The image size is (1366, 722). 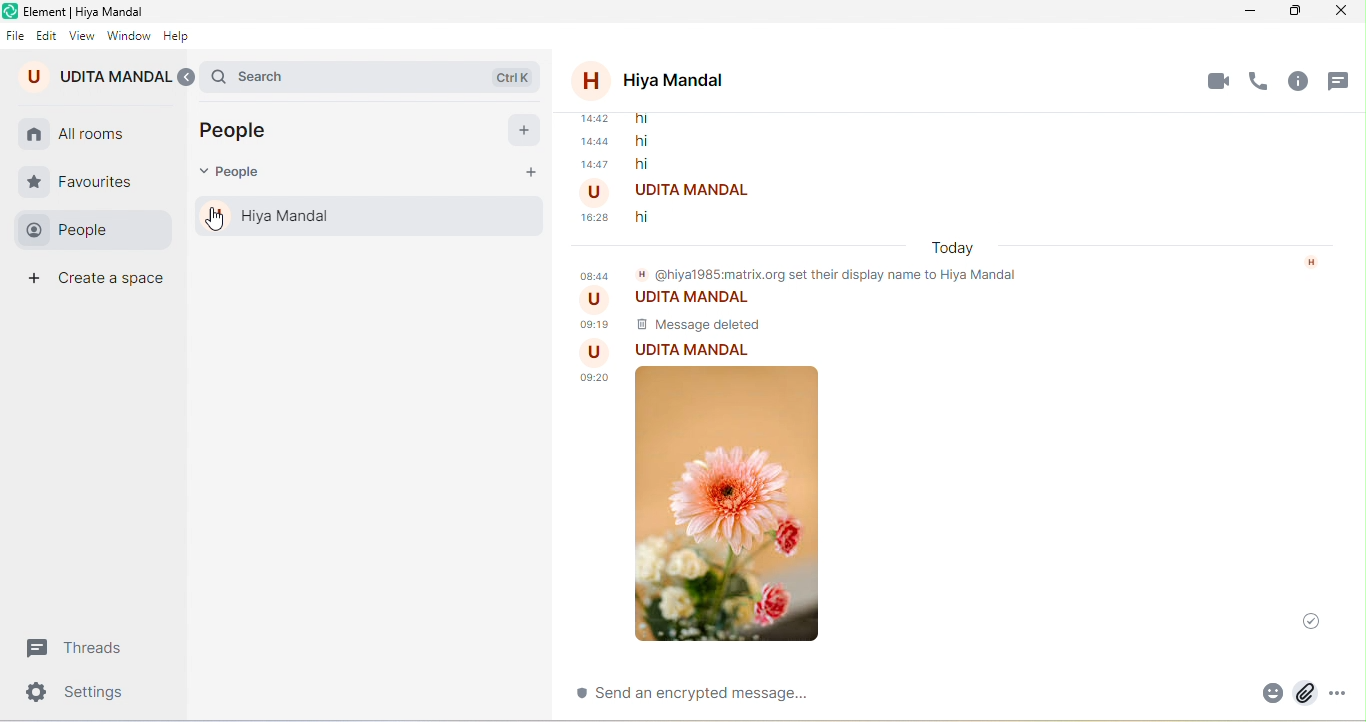 I want to click on udita mandal, so click(x=697, y=192).